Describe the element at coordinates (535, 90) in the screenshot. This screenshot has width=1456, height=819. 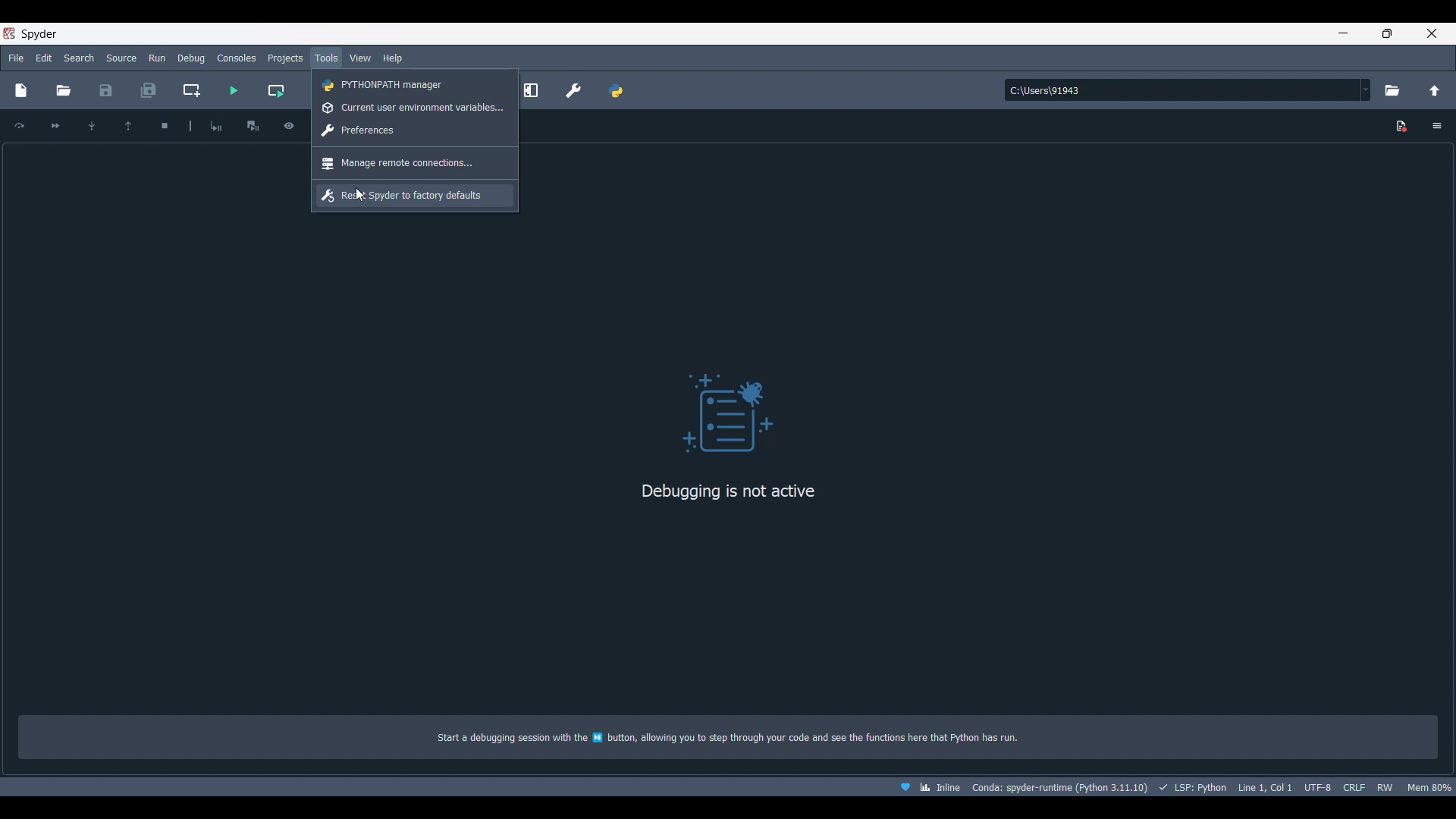
I see `Maximize current pane` at that location.